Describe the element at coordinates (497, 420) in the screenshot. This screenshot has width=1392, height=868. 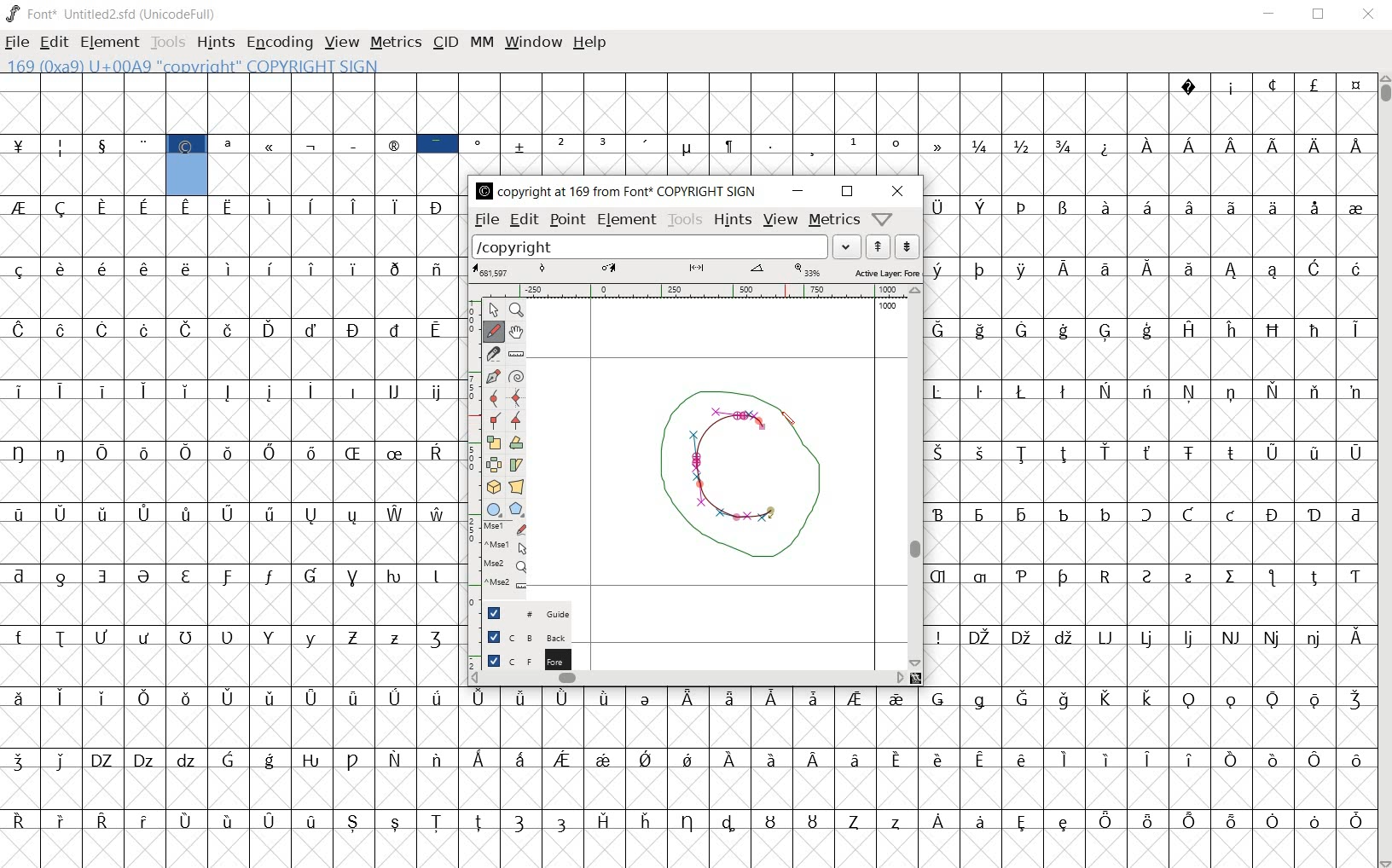
I see `Add a corner point` at that location.